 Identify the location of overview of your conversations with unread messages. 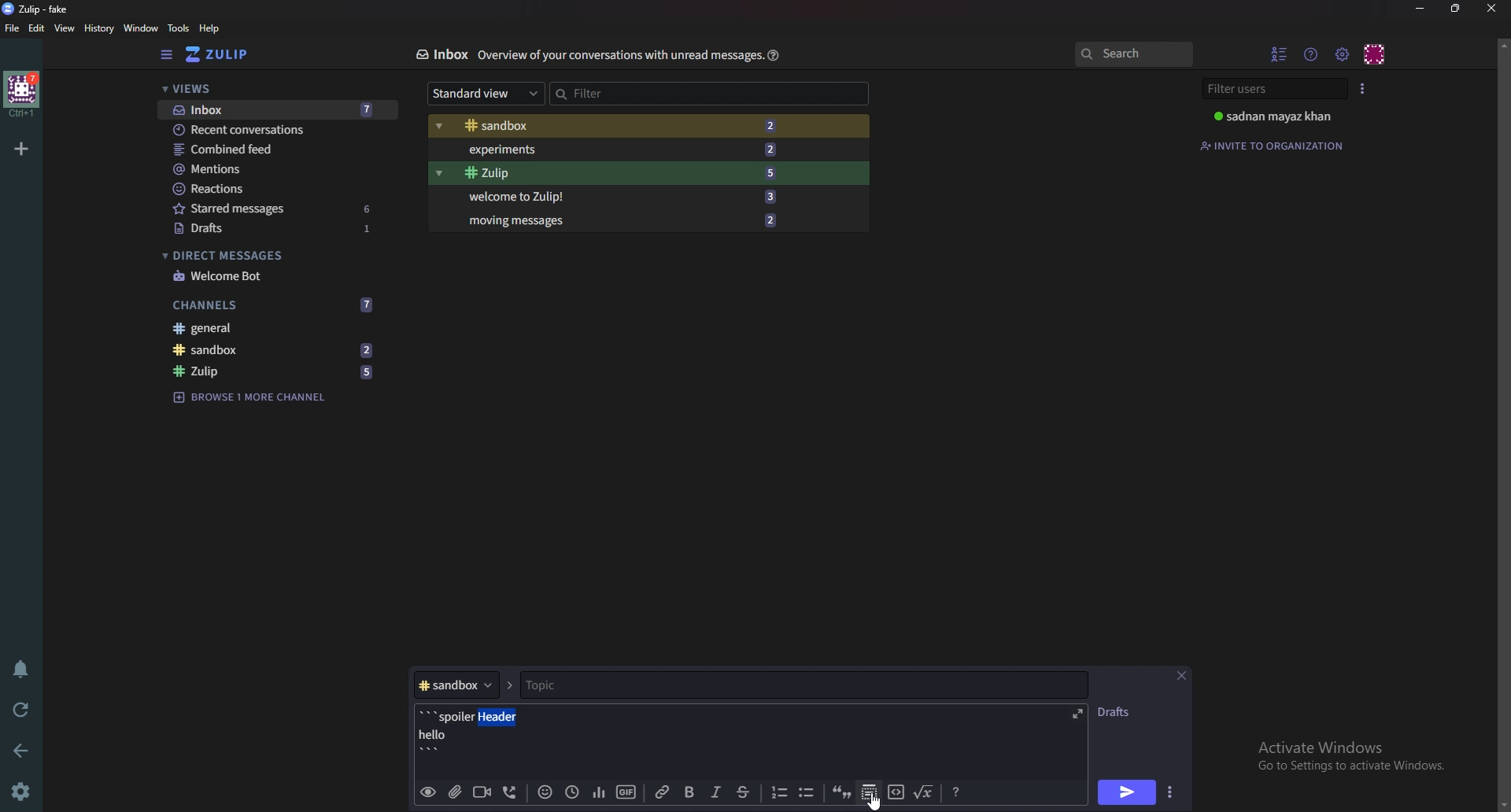
(616, 57).